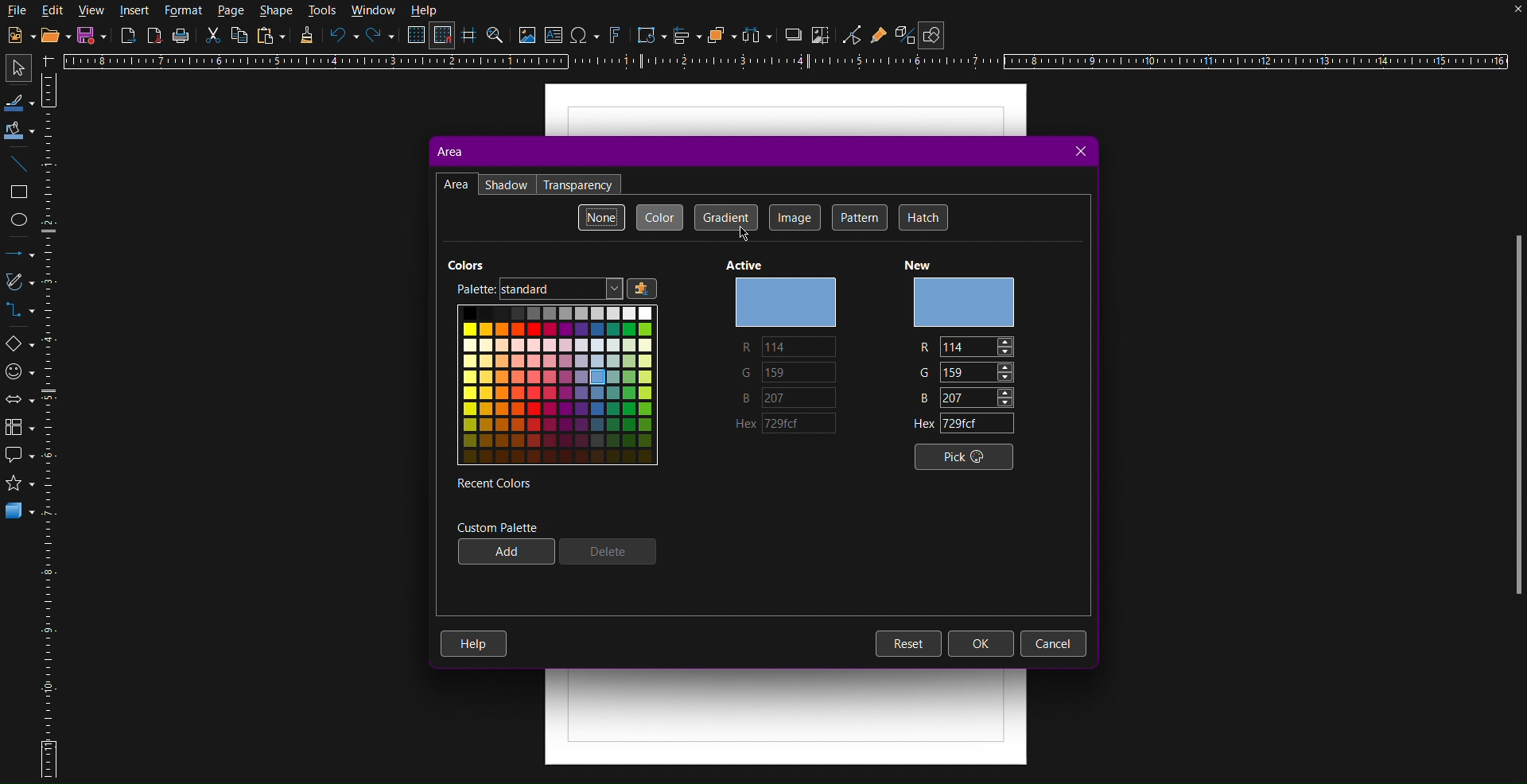 The width and height of the screenshot is (1527, 784). What do you see at coordinates (907, 643) in the screenshot?
I see `Reset` at bounding box center [907, 643].